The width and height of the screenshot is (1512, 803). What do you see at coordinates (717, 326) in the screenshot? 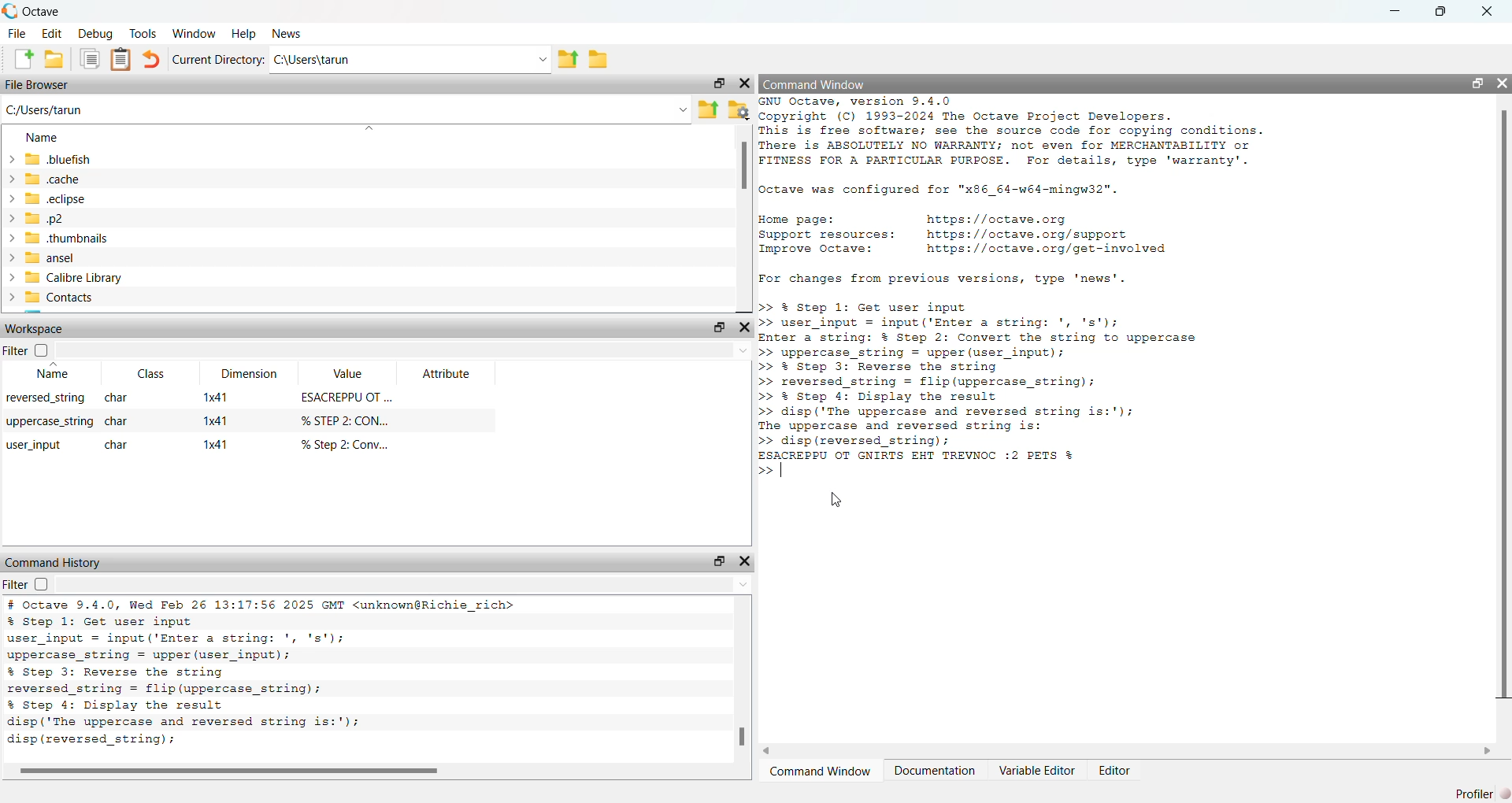
I see `unlock widget` at bounding box center [717, 326].